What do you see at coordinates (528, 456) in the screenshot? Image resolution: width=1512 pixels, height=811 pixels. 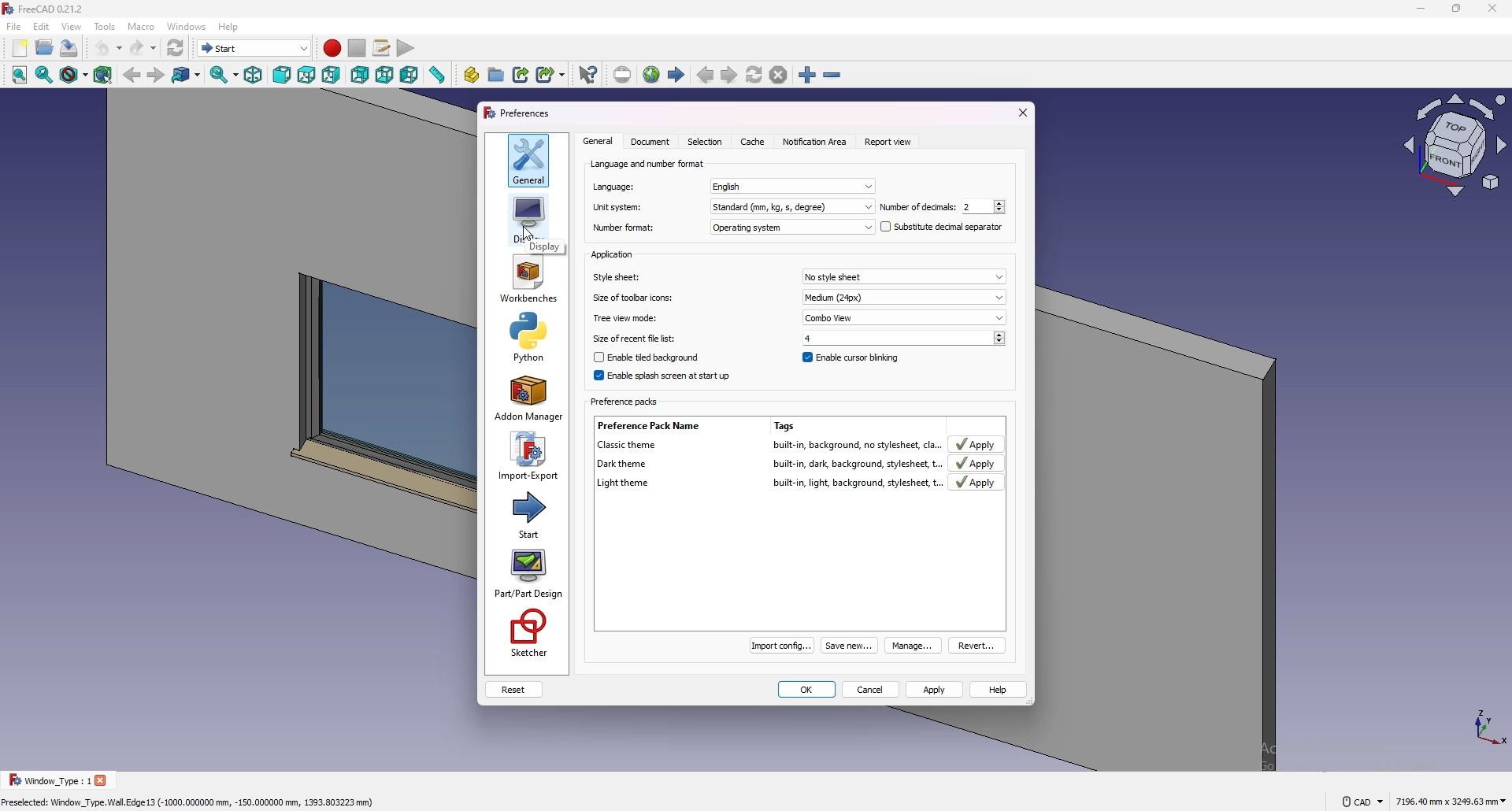 I see `import-export` at bounding box center [528, 456].